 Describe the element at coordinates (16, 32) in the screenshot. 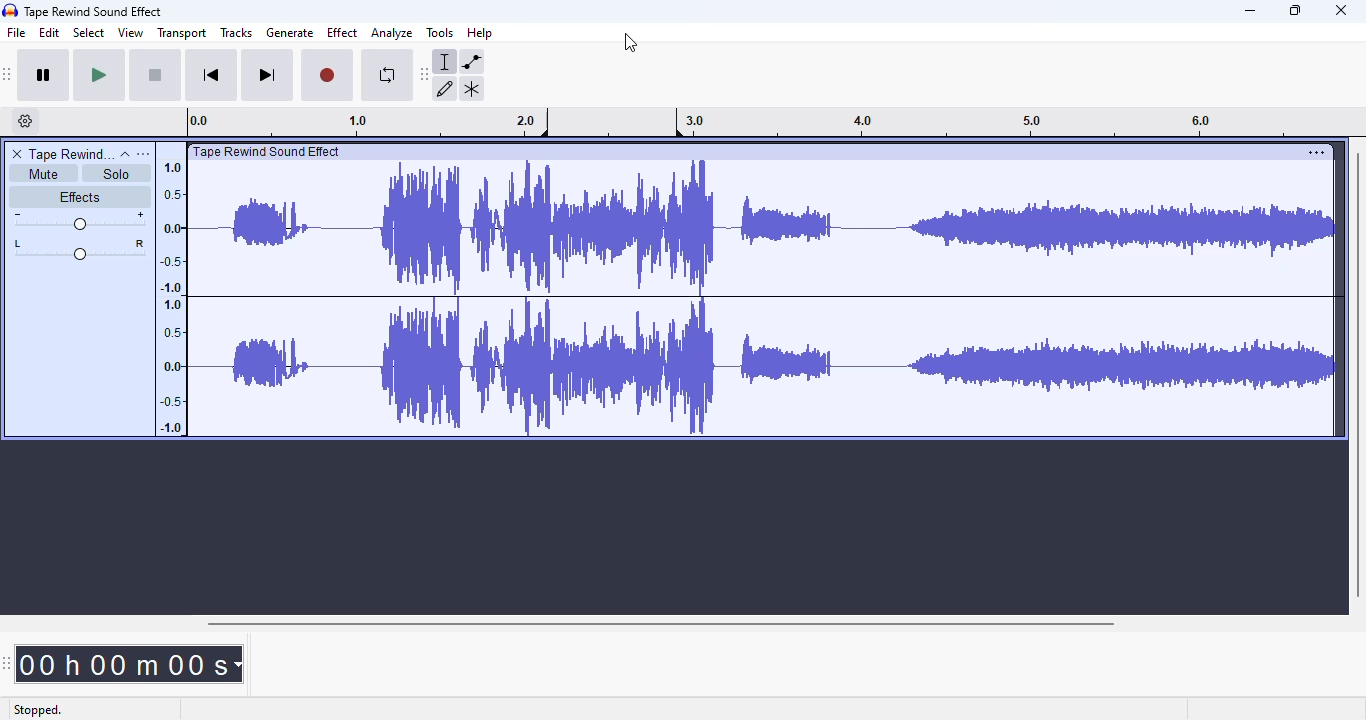

I see `file` at that location.